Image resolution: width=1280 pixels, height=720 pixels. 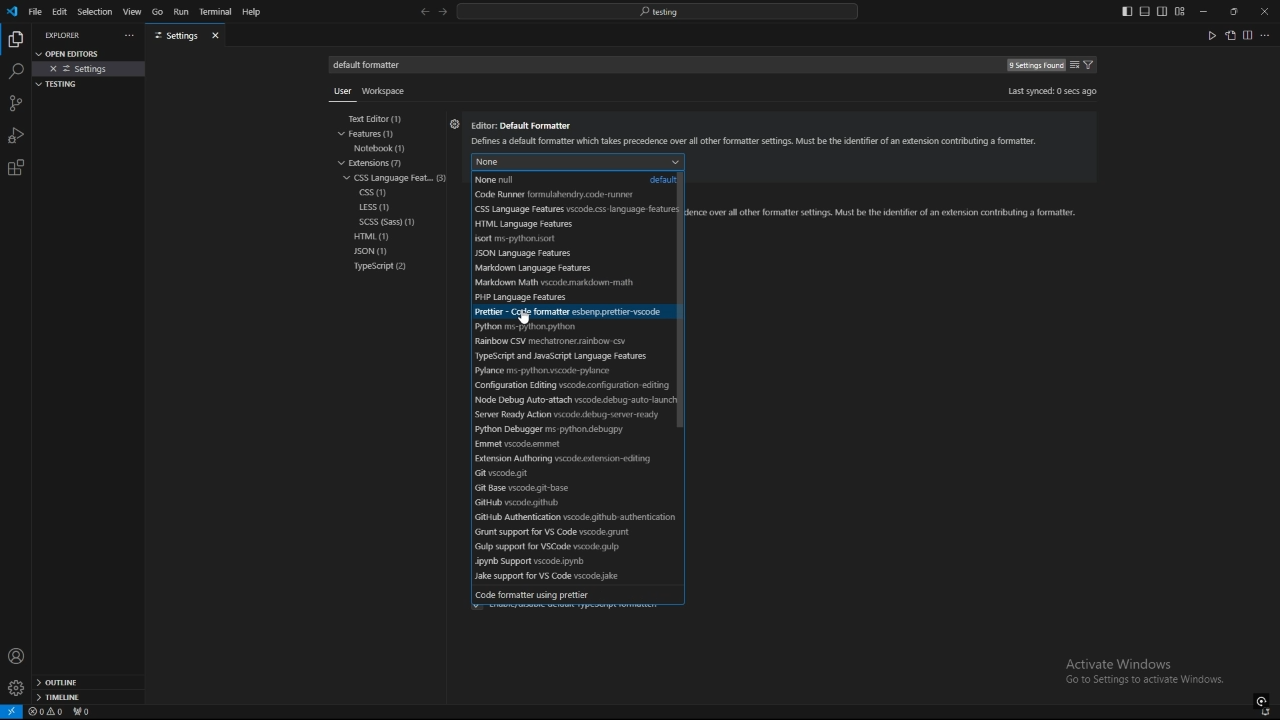 I want to click on notifications, so click(x=1267, y=713).